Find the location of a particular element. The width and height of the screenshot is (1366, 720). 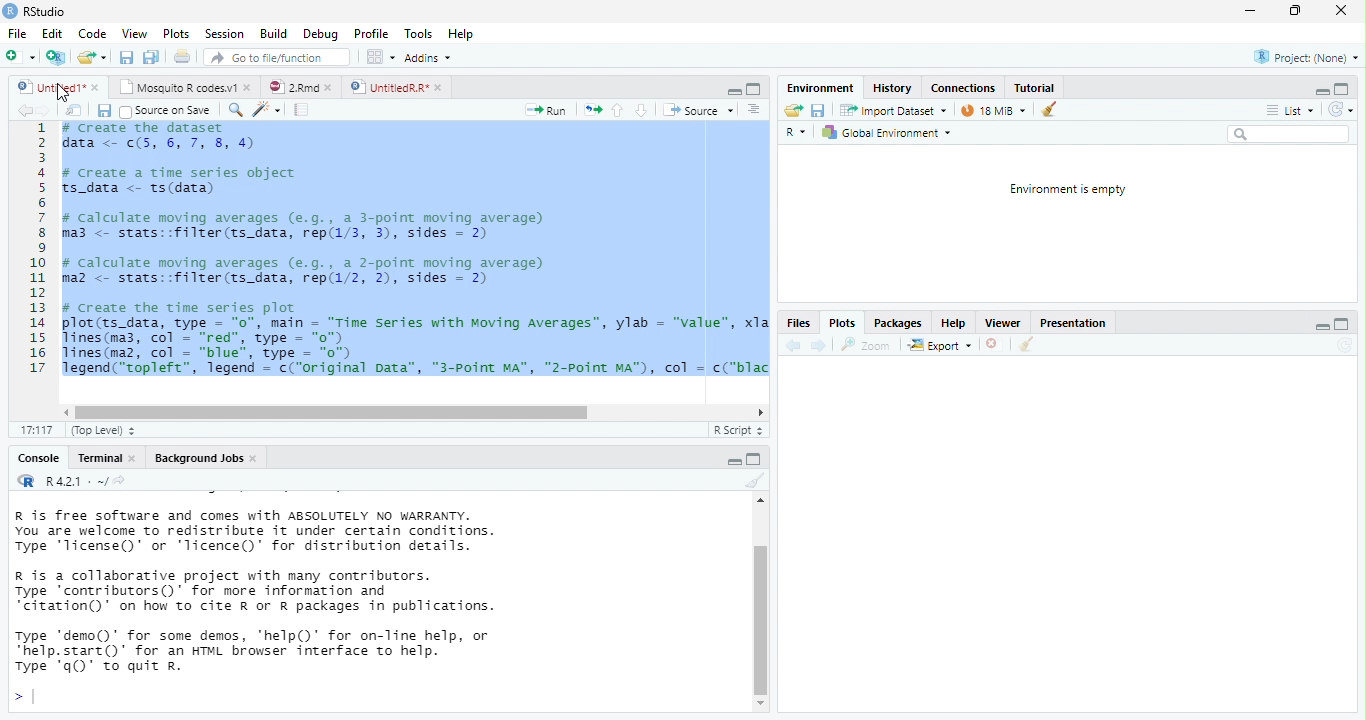

zoom is located at coordinates (869, 345).